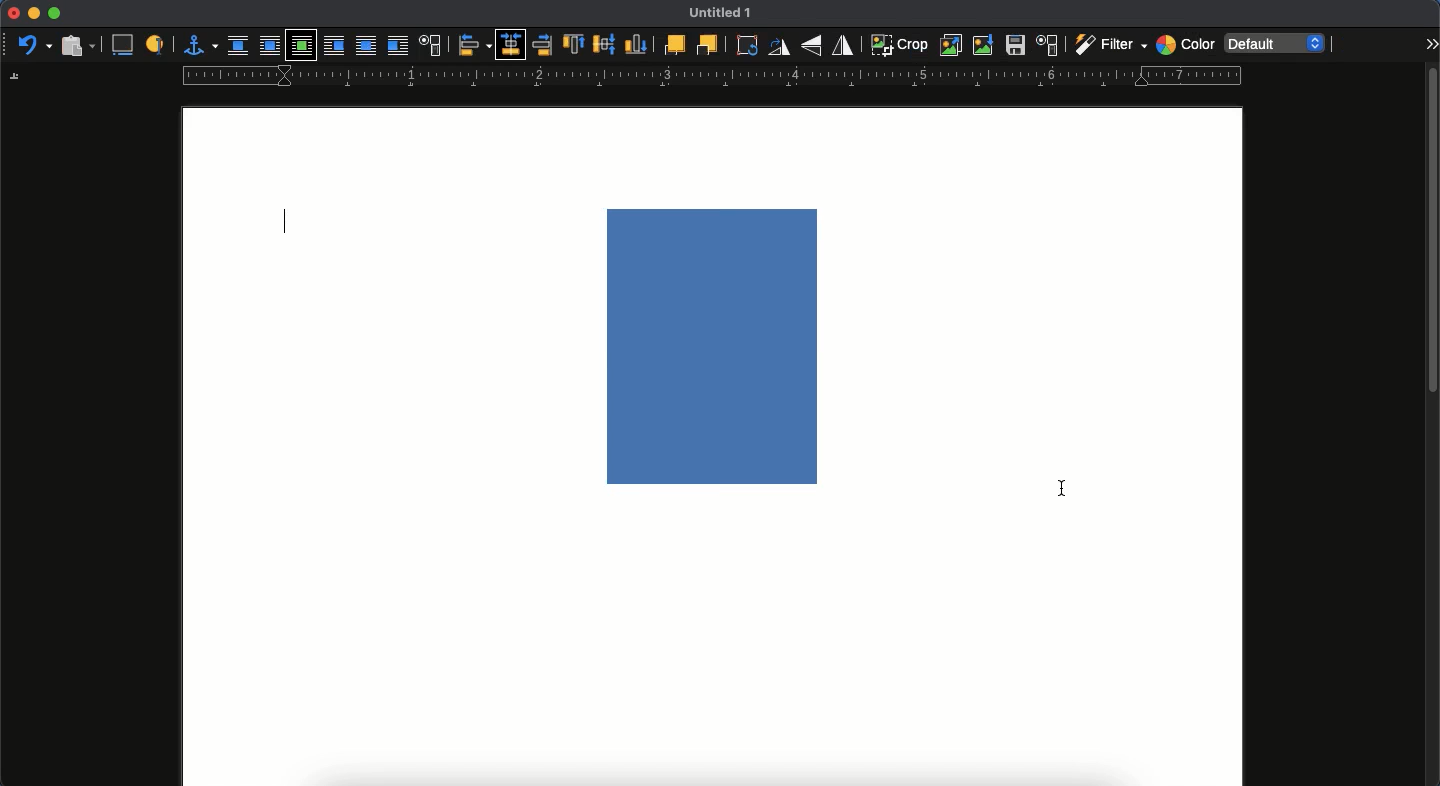  What do you see at coordinates (198, 47) in the screenshot?
I see `anchor for object` at bounding box center [198, 47].